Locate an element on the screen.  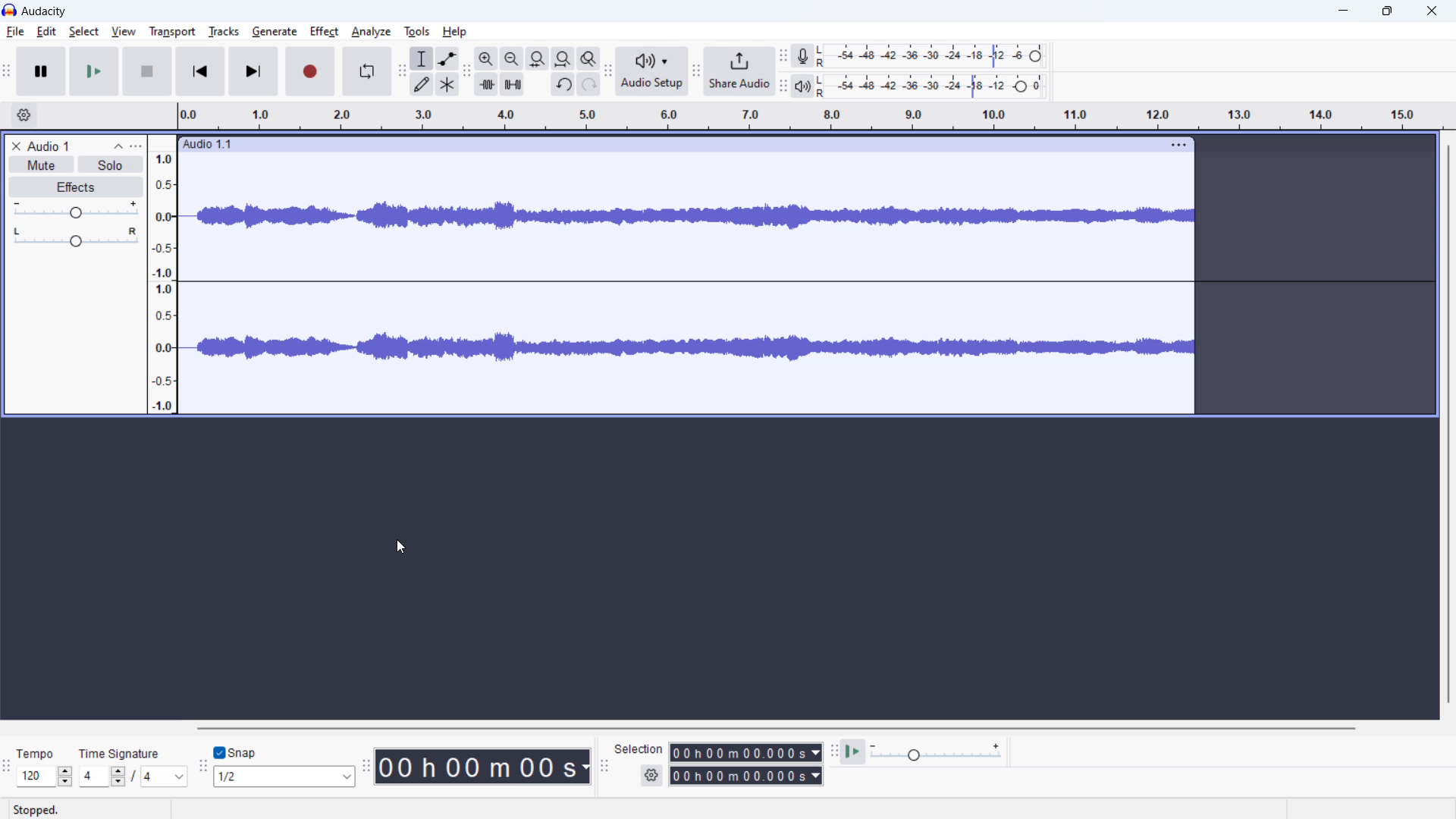
time signature toolbar is located at coordinates (10, 764).